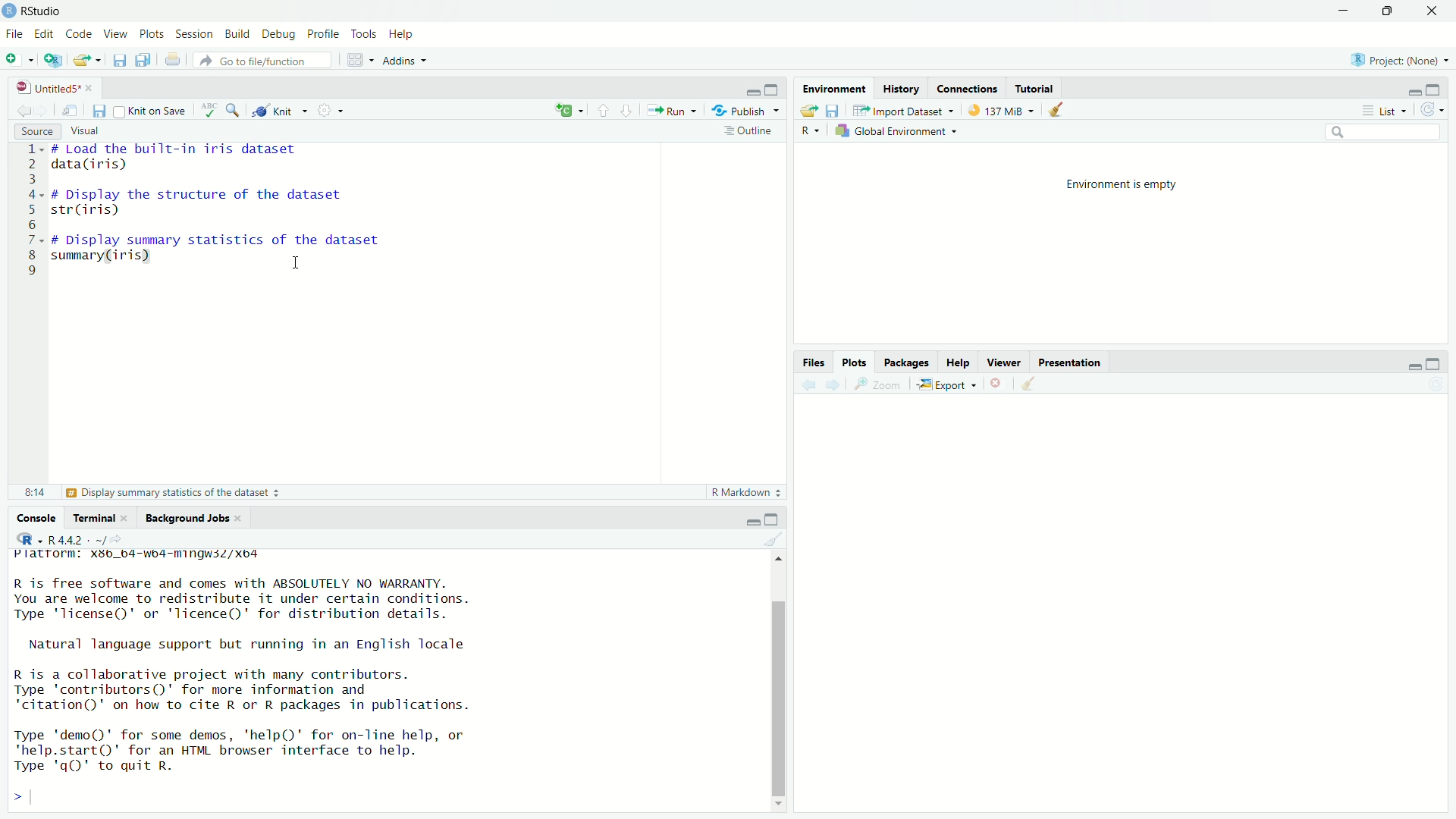  Describe the element at coordinates (1436, 89) in the screenshot. I see `Full Height` at that location.